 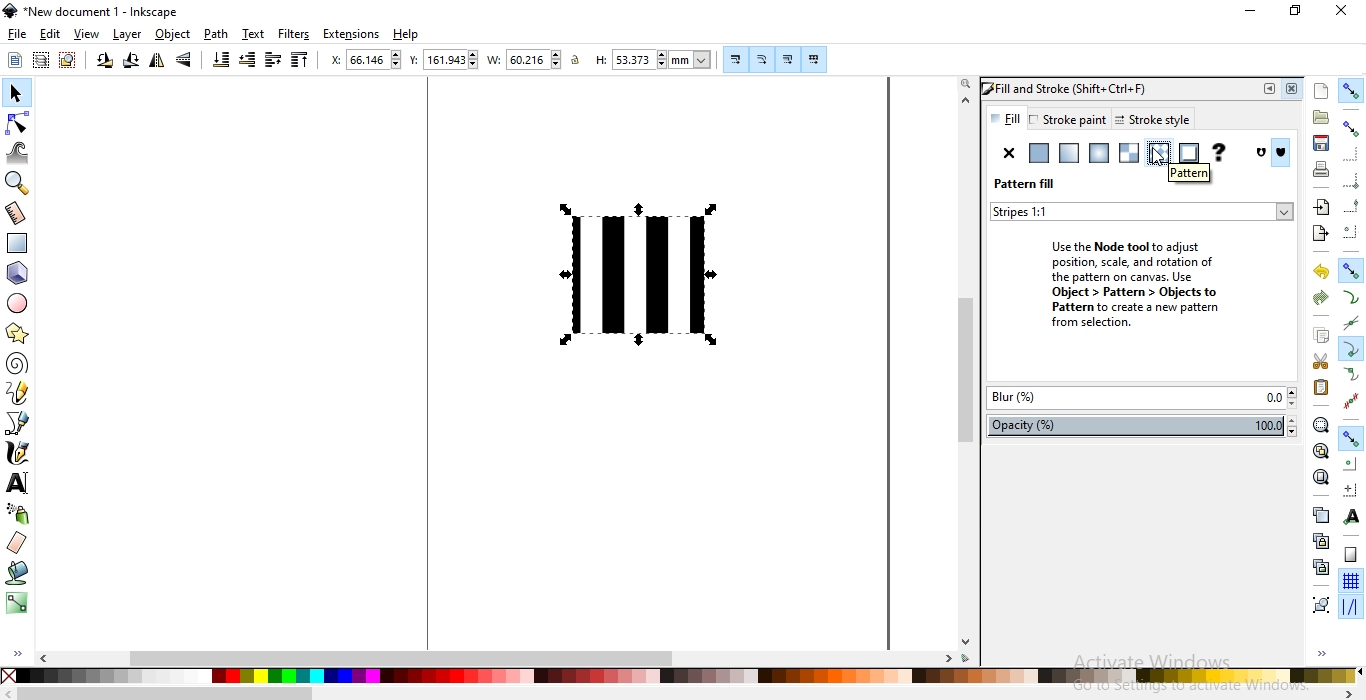 What do you see at coordinates (1284, 154) in the screenshot?
I see `icon` at bounding box center [1284, 154].